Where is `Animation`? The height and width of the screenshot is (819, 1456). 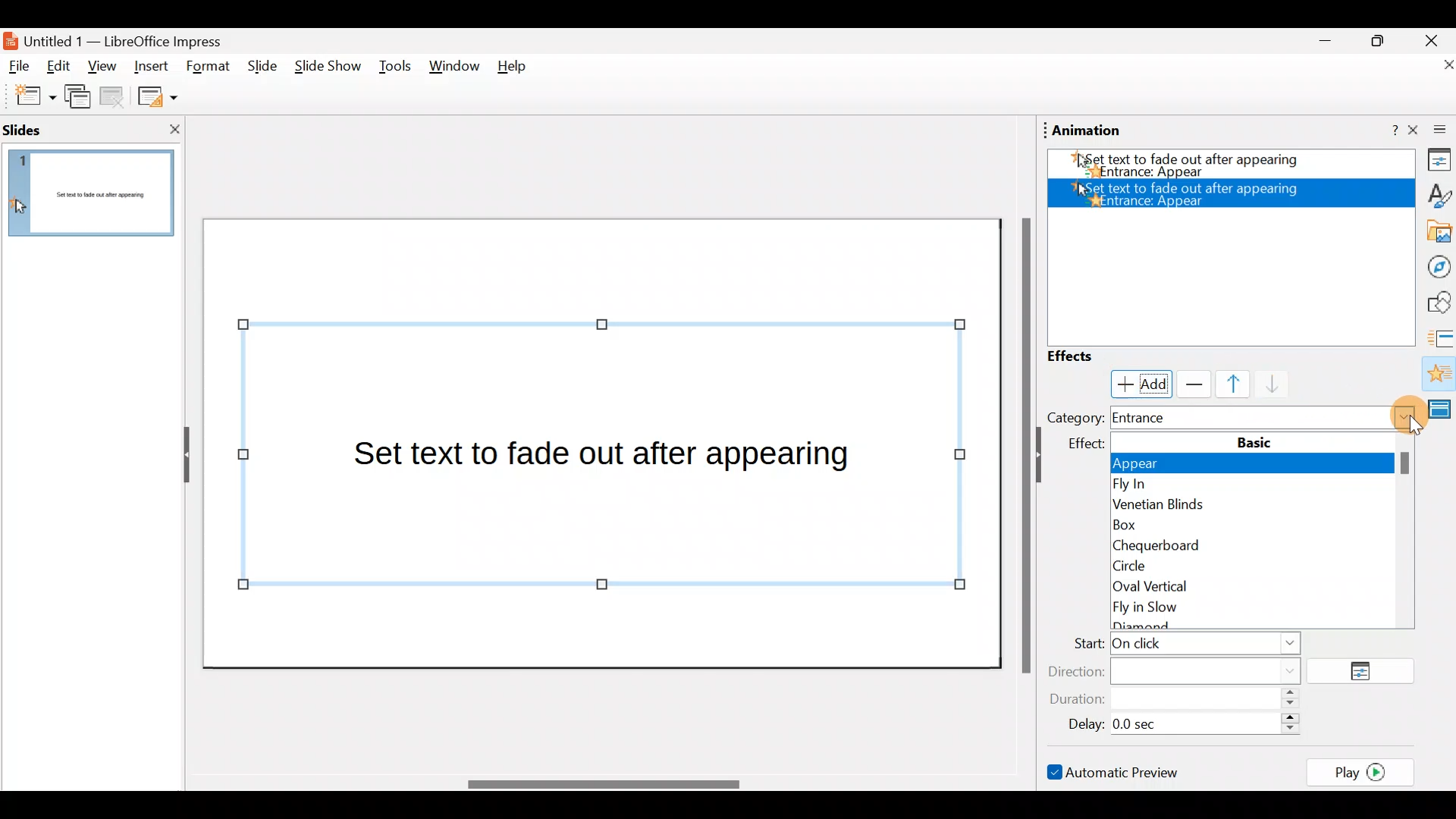
Animation is located at coordinates (1087, 130).